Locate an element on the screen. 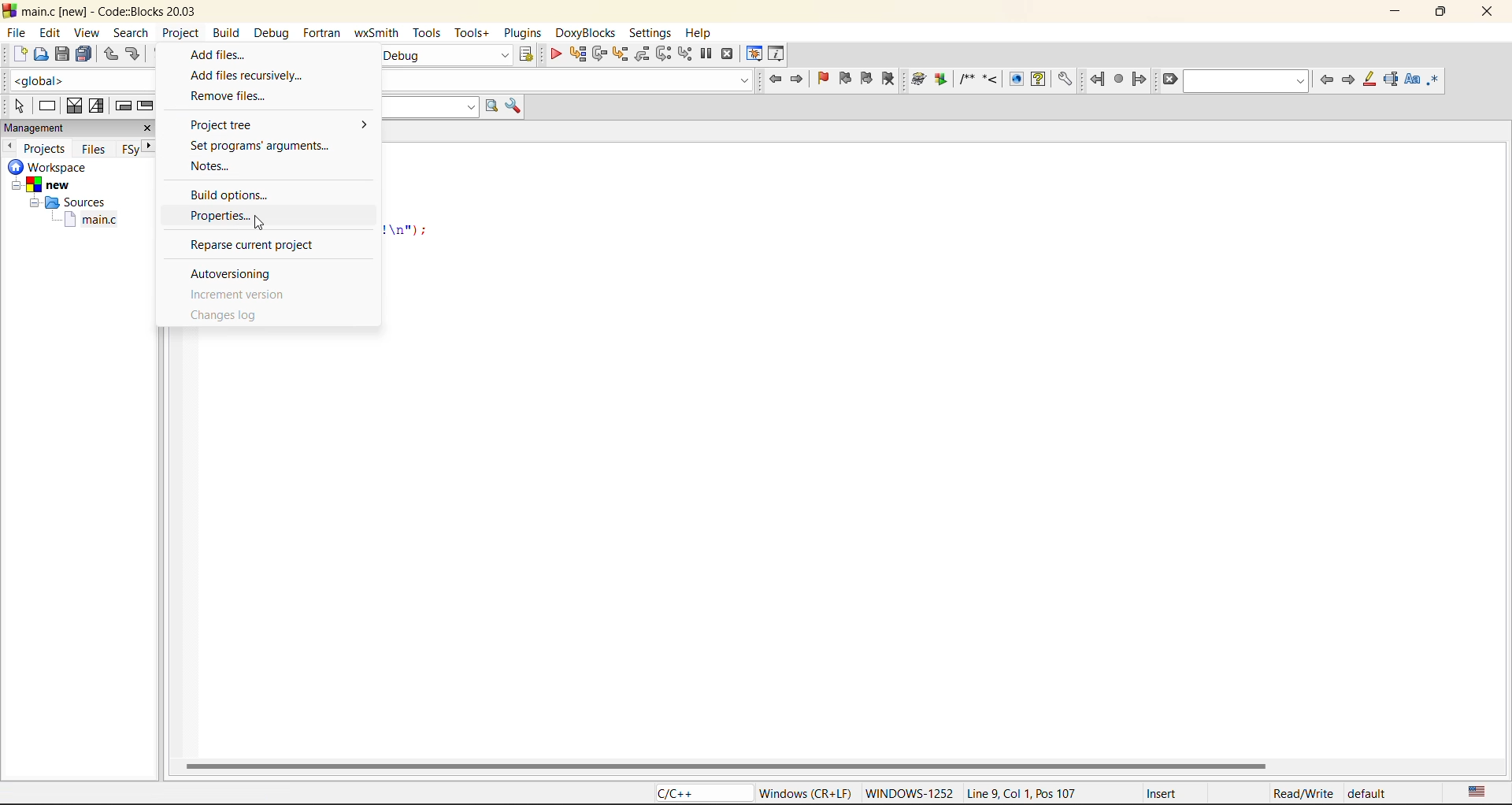 This screenshot has height=805, width=1512. edit is located at coordinates (50, 32).